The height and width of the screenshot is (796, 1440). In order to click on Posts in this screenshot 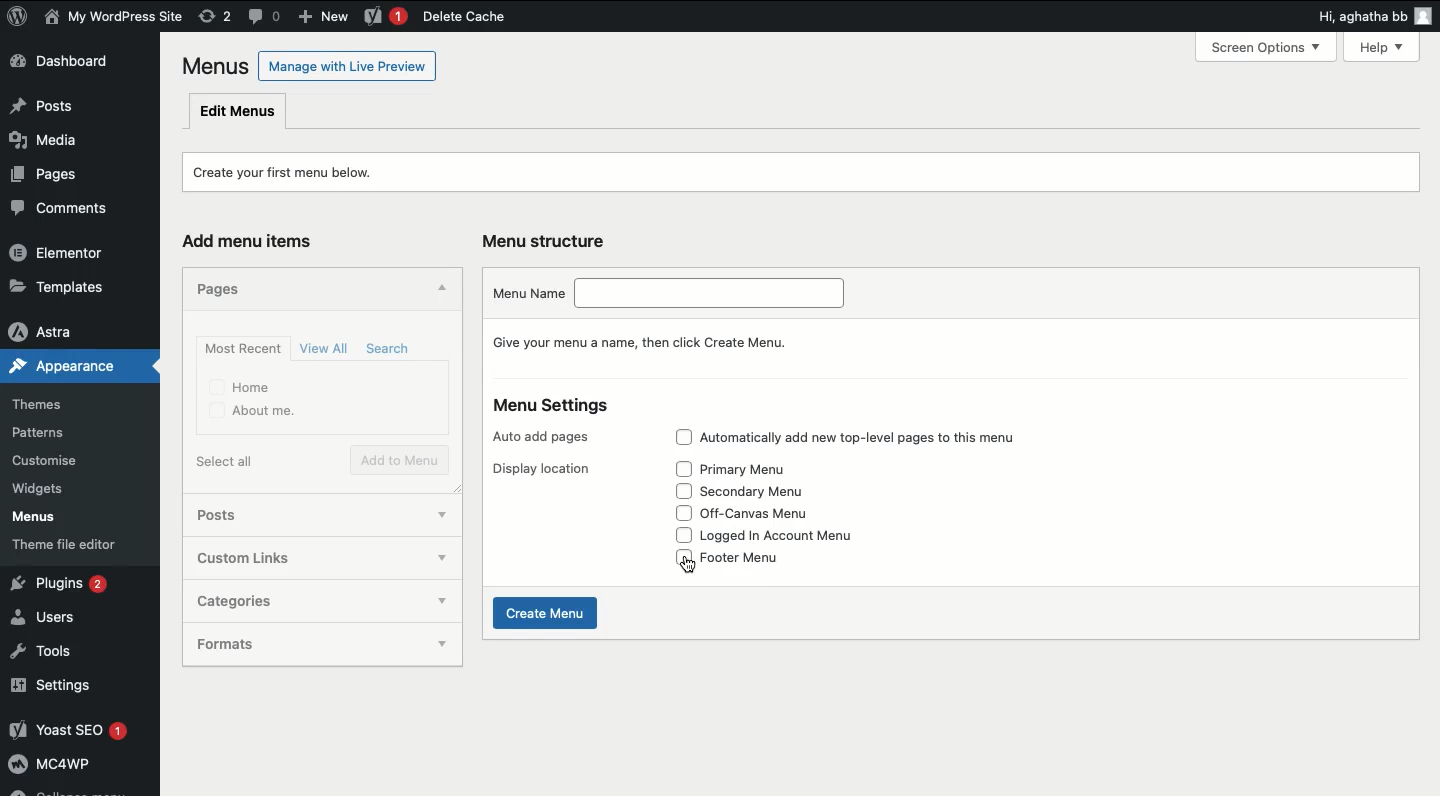, I will do `click(290, 513)`.